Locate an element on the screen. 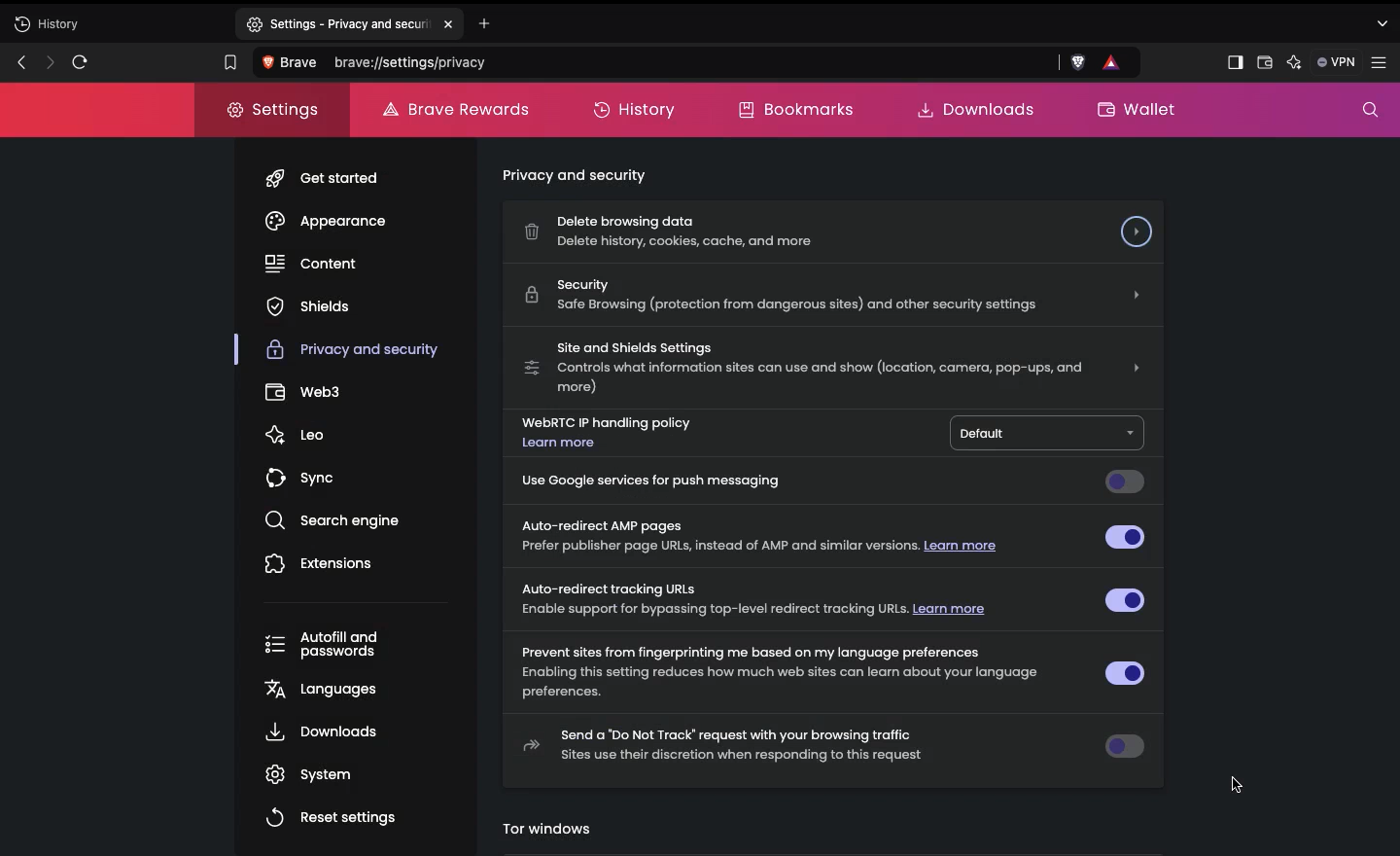 The width and height of the screenshot is (1400, 856). Leo is located at coordinates (304, 434).